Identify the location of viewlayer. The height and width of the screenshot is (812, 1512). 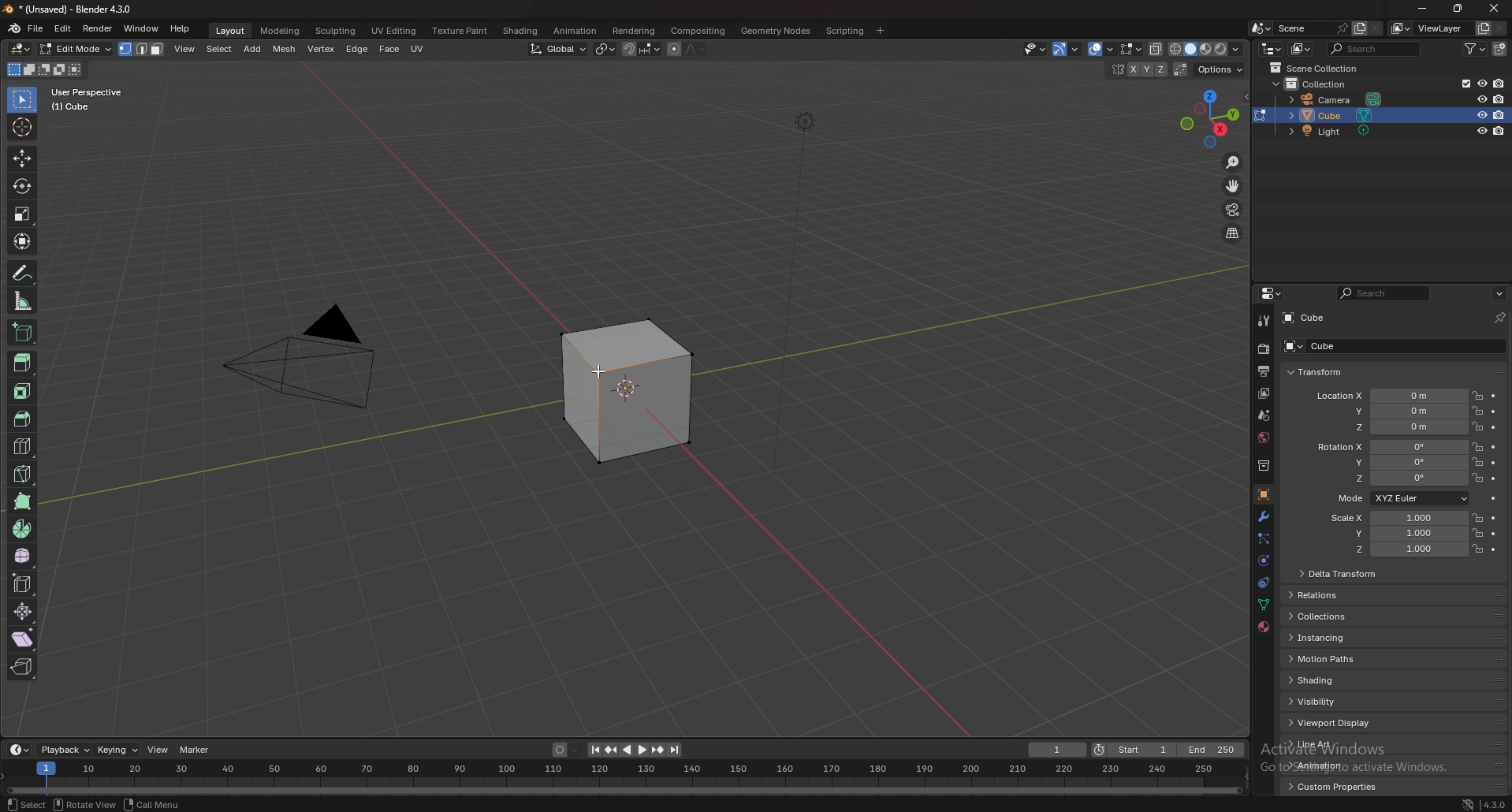
(1429, 28).